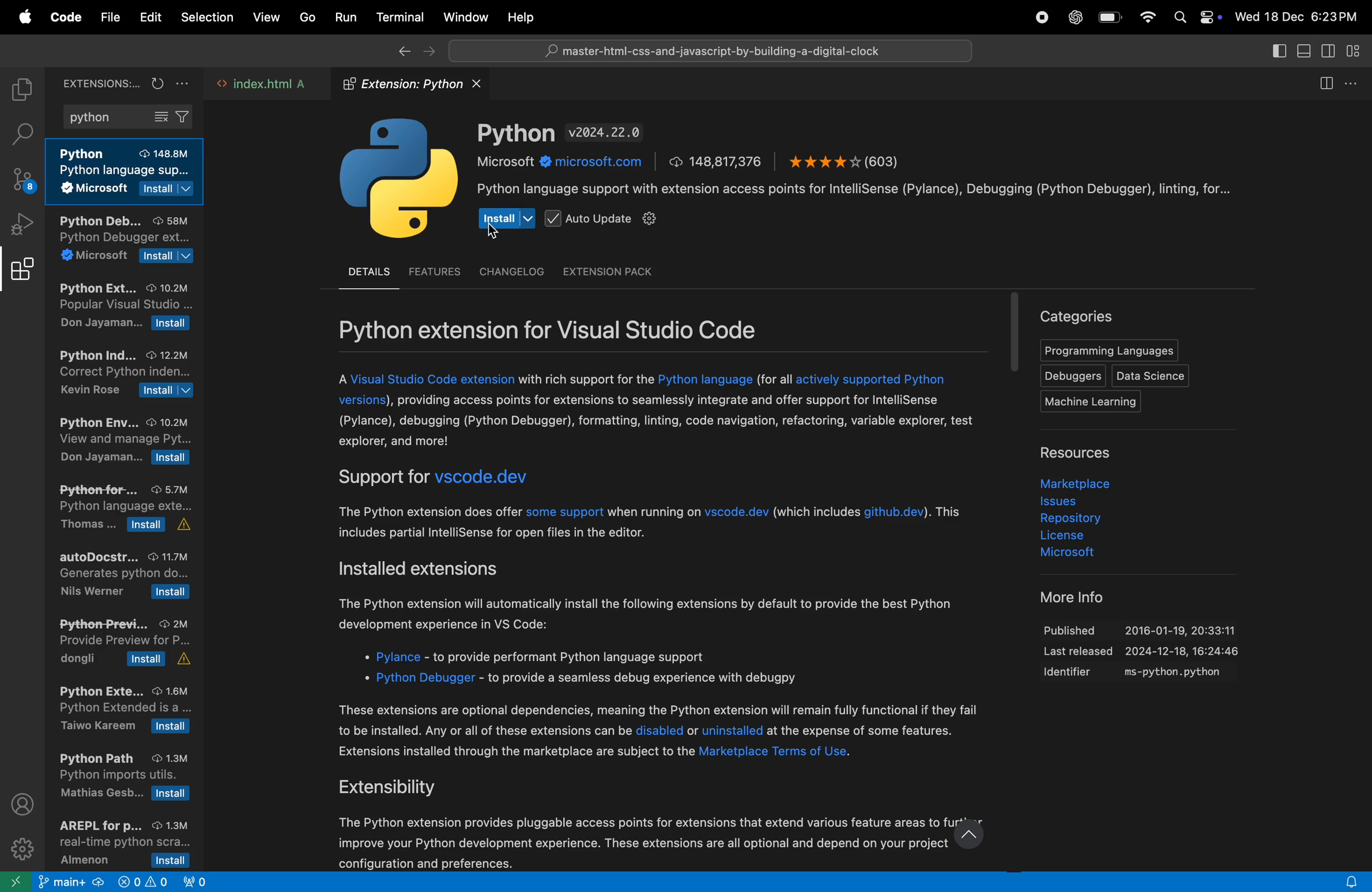 This screenshot has width=1372, height=892. I want to click on open new window, so click(17, 880).